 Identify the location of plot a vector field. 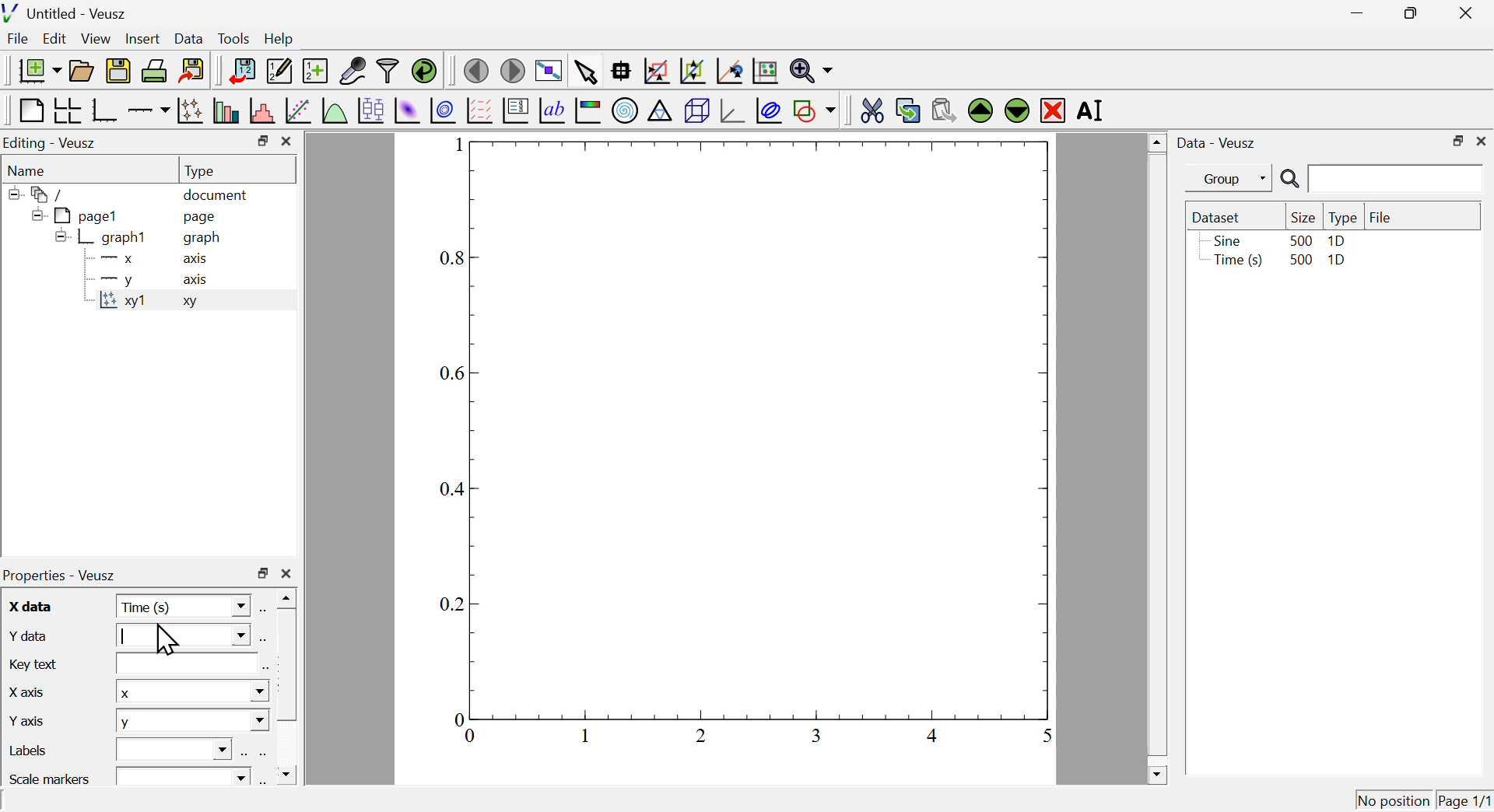
(479, 110).